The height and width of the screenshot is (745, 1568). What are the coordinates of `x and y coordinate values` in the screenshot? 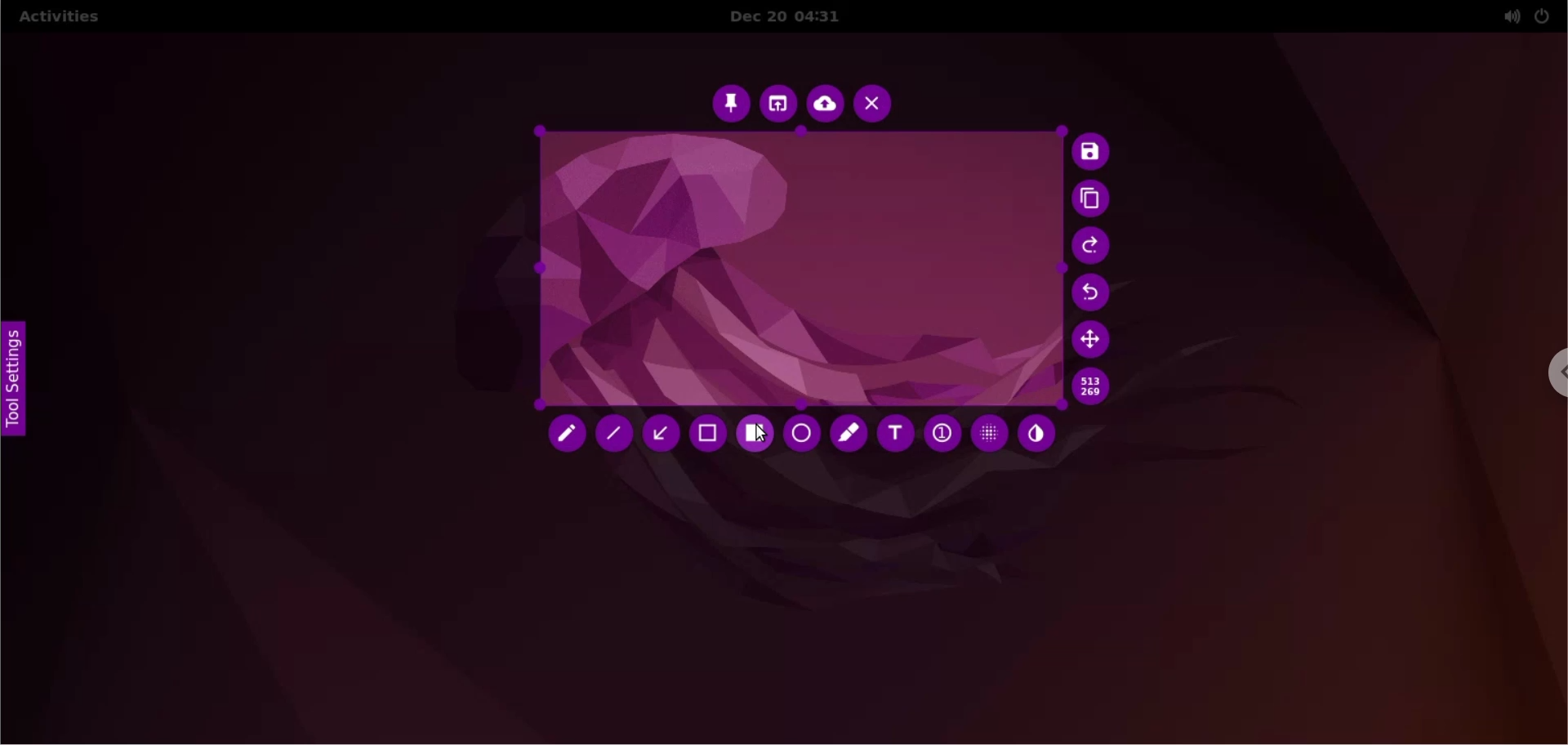 It's located at (1095, 389).